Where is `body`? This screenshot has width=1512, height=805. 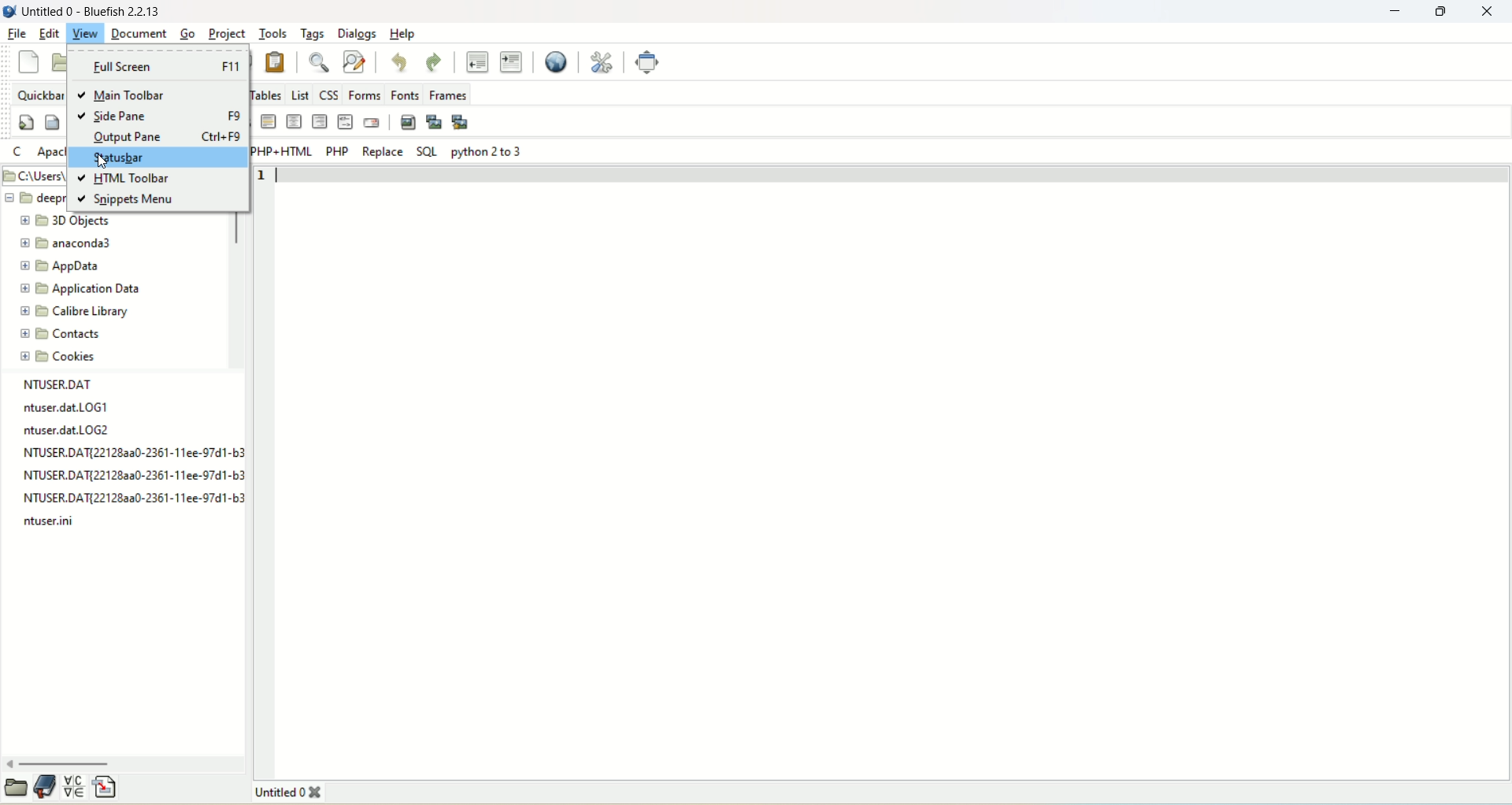 body is located at coordinates (52, 122).